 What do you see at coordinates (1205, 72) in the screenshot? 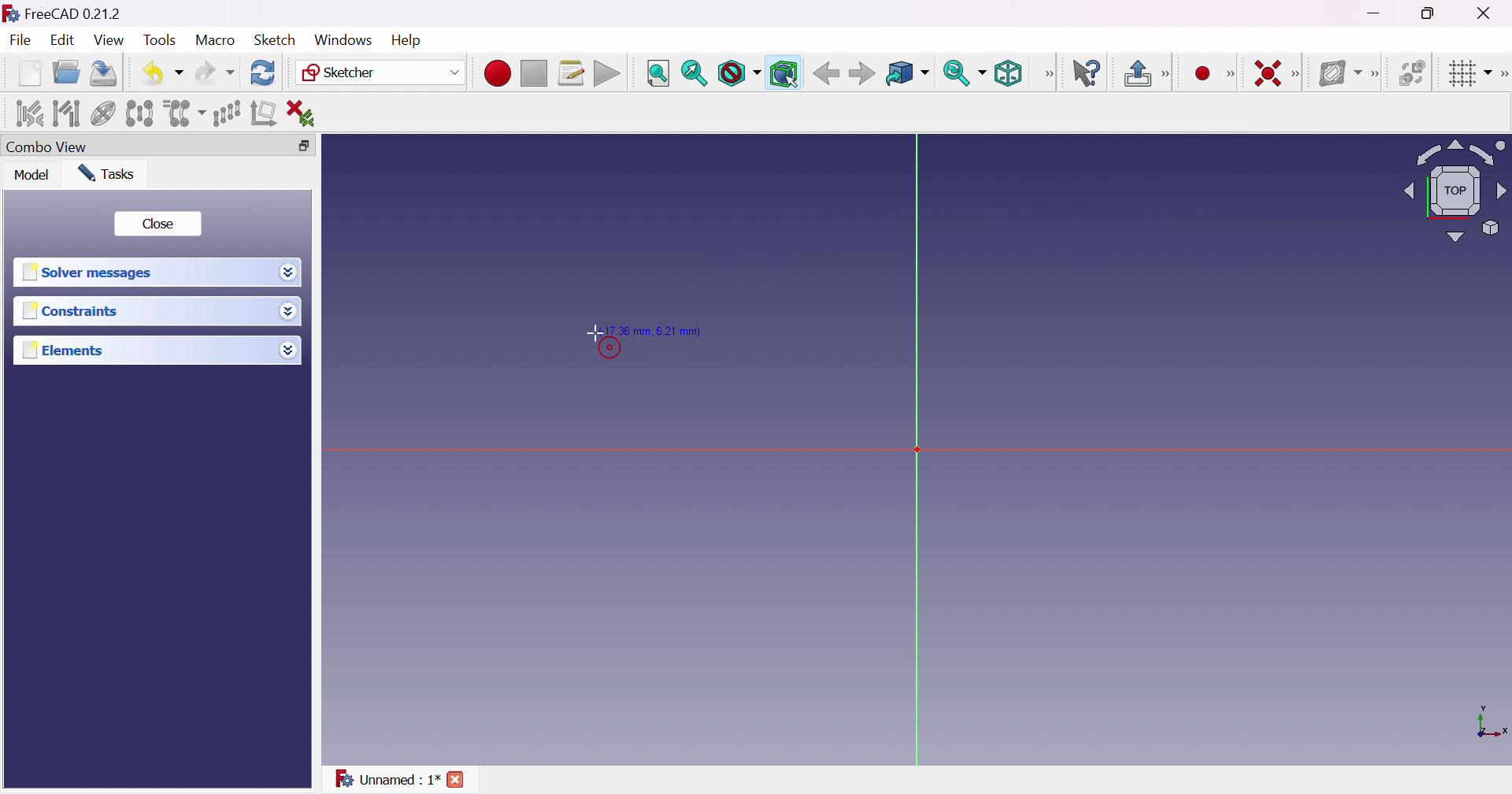
I see `Create point` at bounding box center [1205, 72].